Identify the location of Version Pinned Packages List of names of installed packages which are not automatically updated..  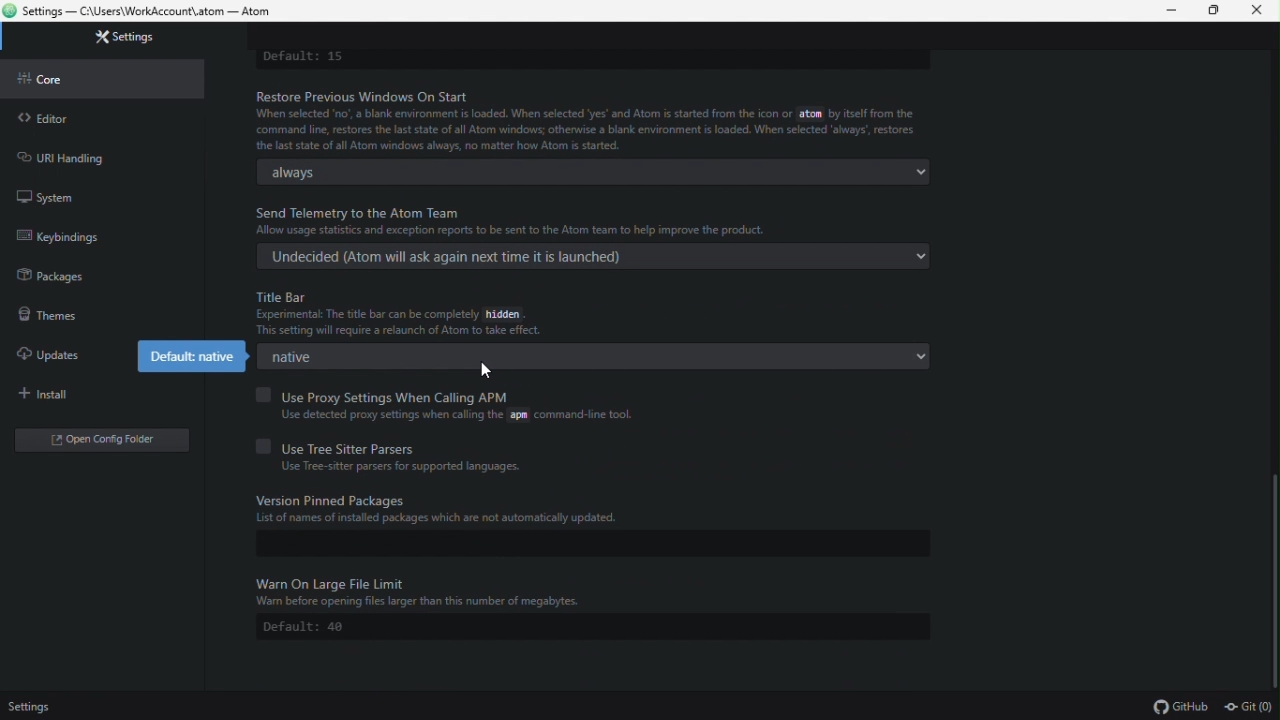
(467, 510).